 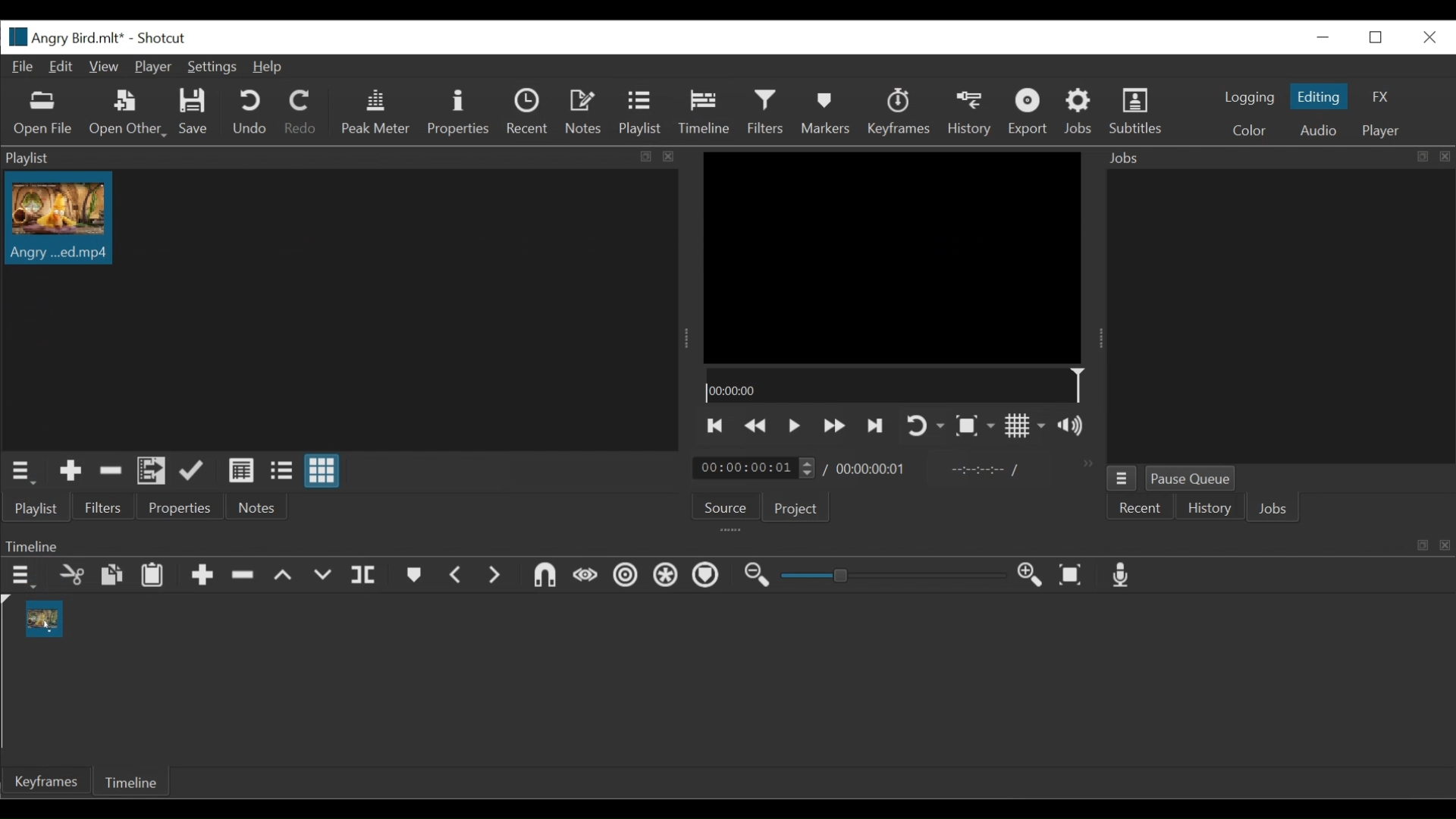 I want to click on Ripple Delete, so click(x=243, y=576).